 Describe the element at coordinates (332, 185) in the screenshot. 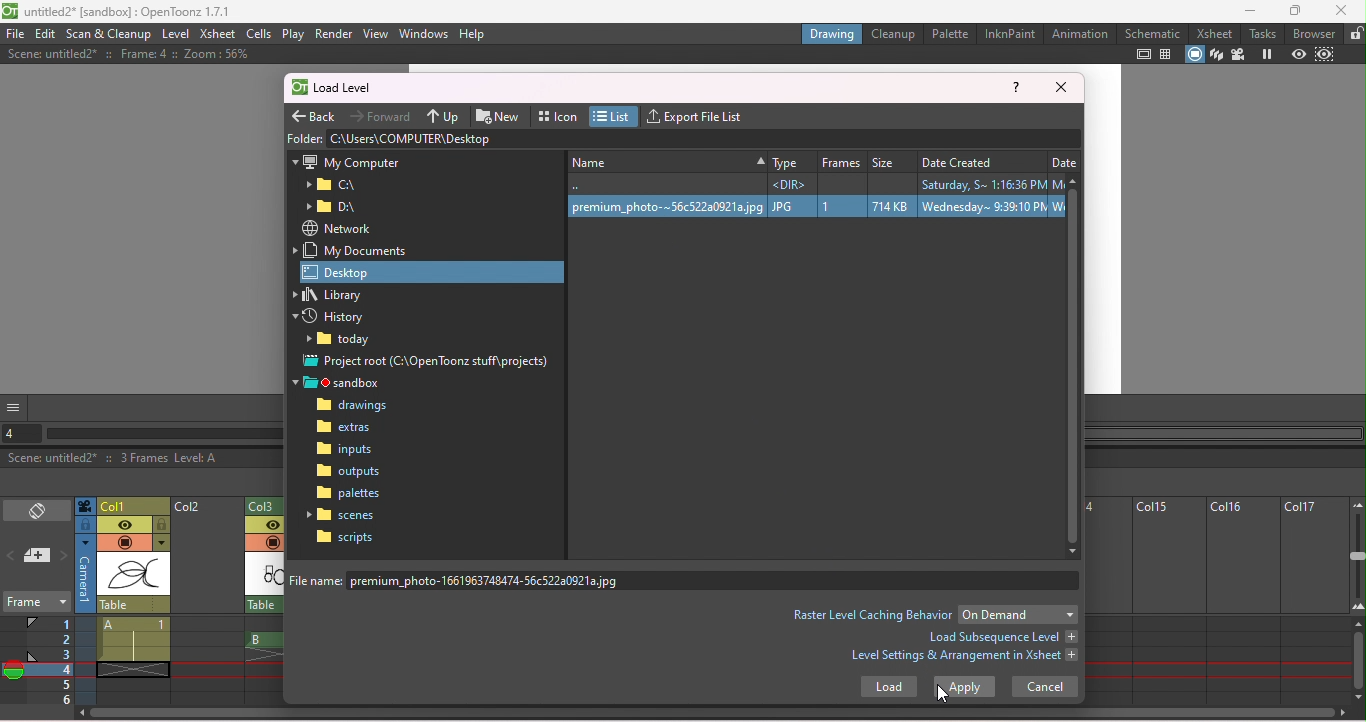

I see `Folder` at that location.